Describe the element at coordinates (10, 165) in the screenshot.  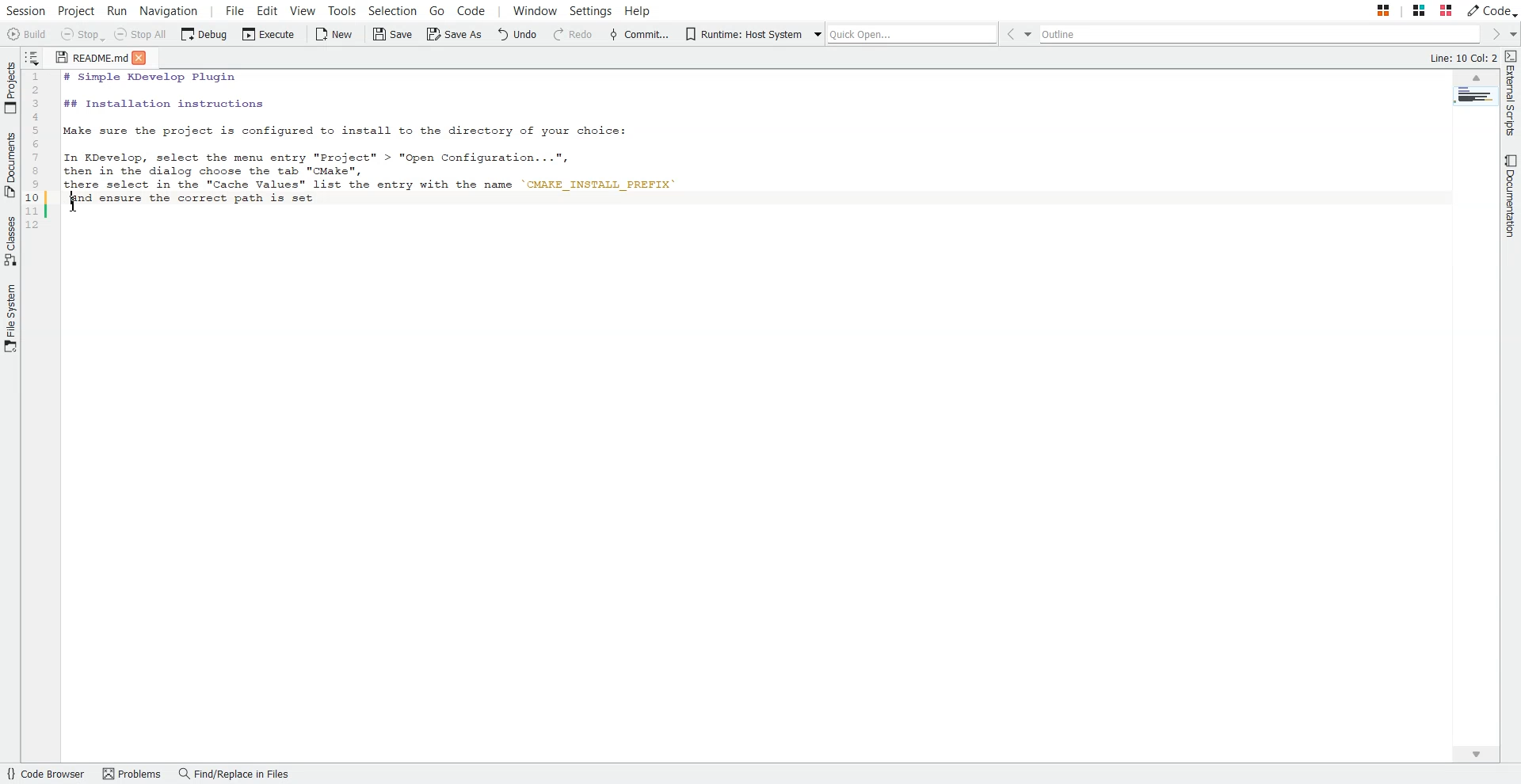
I see `Documents` at that location.